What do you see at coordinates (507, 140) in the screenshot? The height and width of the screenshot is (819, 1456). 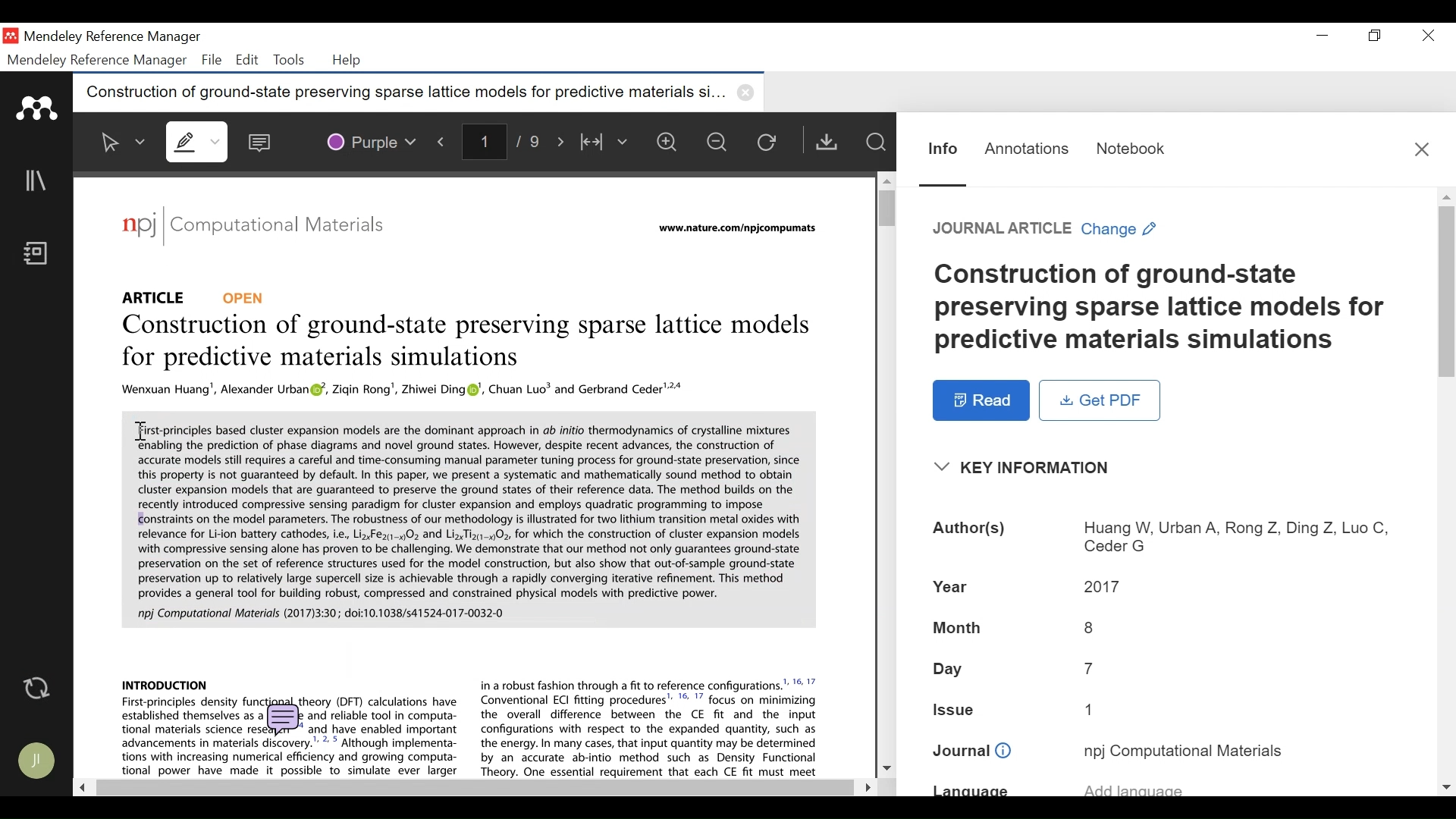 I see `page number/total number of pages` at bounding box center [507, 140].